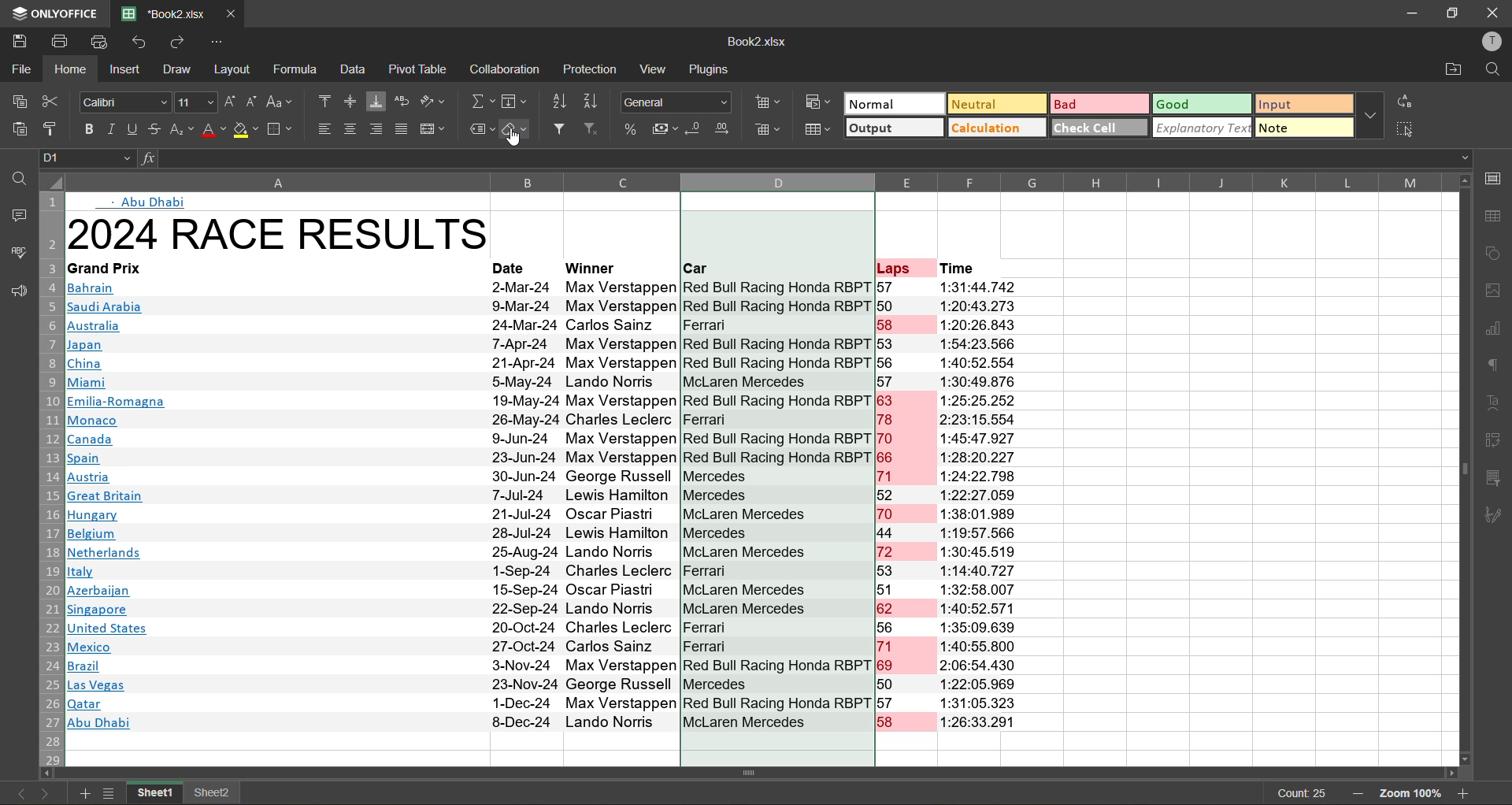 The image size is (1512, 805). What do you see at coordinates (543, 476) in the screenshot?
I see `Bl Austria 30-Jun-24 George Russell Mercedes 71 1:24:22.798` at bounding box center [543, 476].